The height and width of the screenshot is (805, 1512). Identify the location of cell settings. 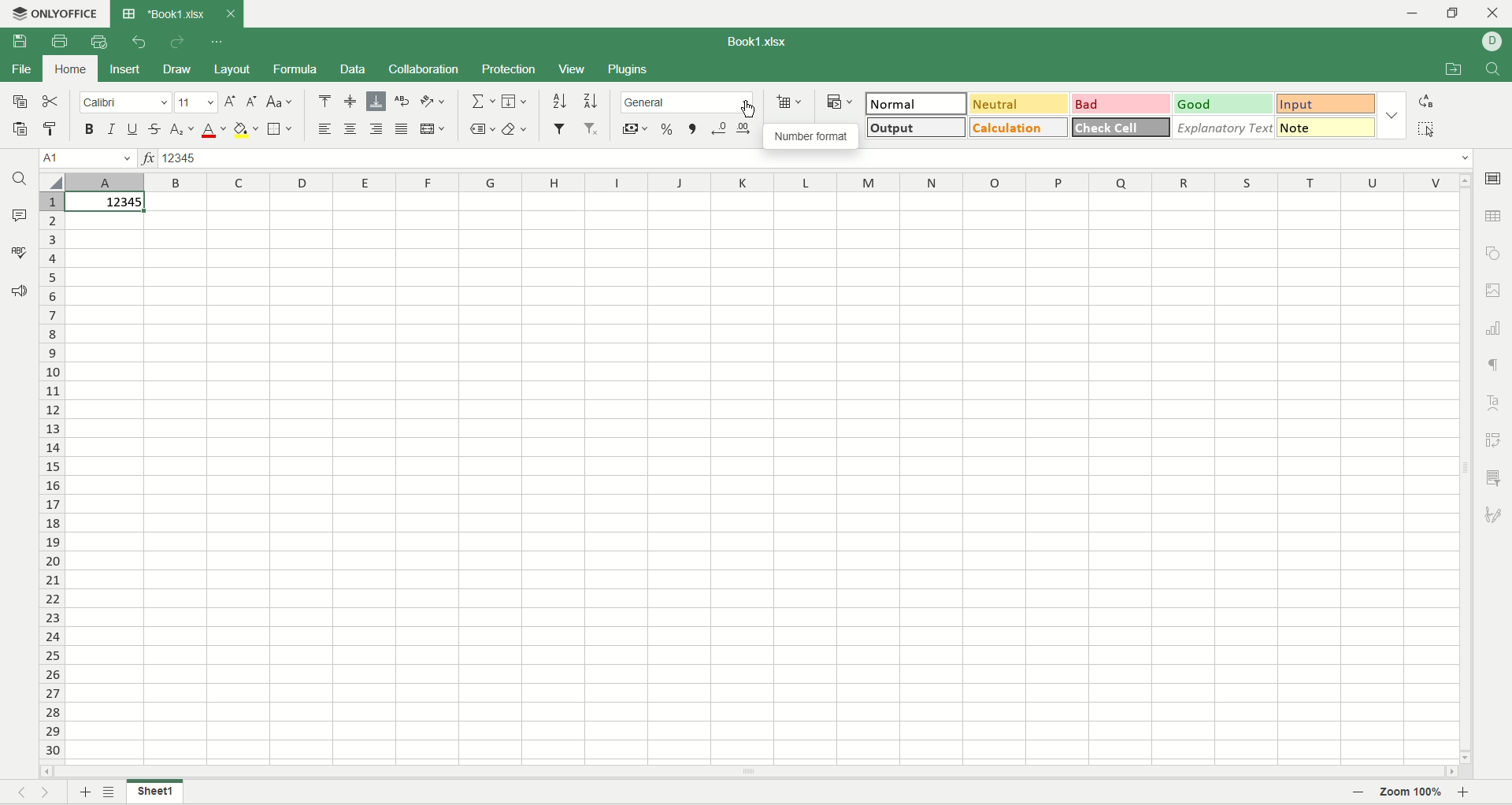
(1493, 181).